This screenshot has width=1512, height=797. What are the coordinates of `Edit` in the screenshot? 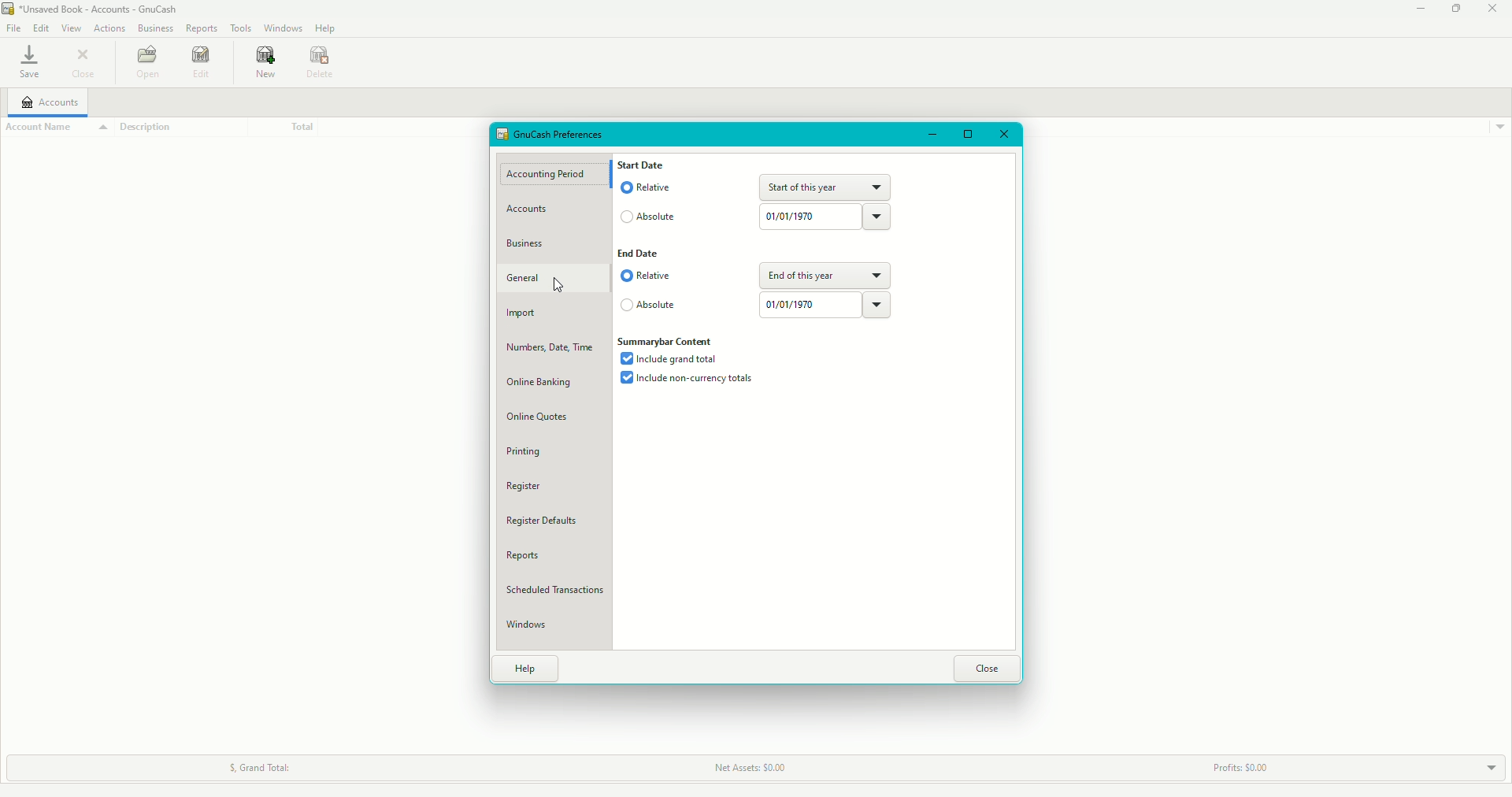 It's located at (41, 27).